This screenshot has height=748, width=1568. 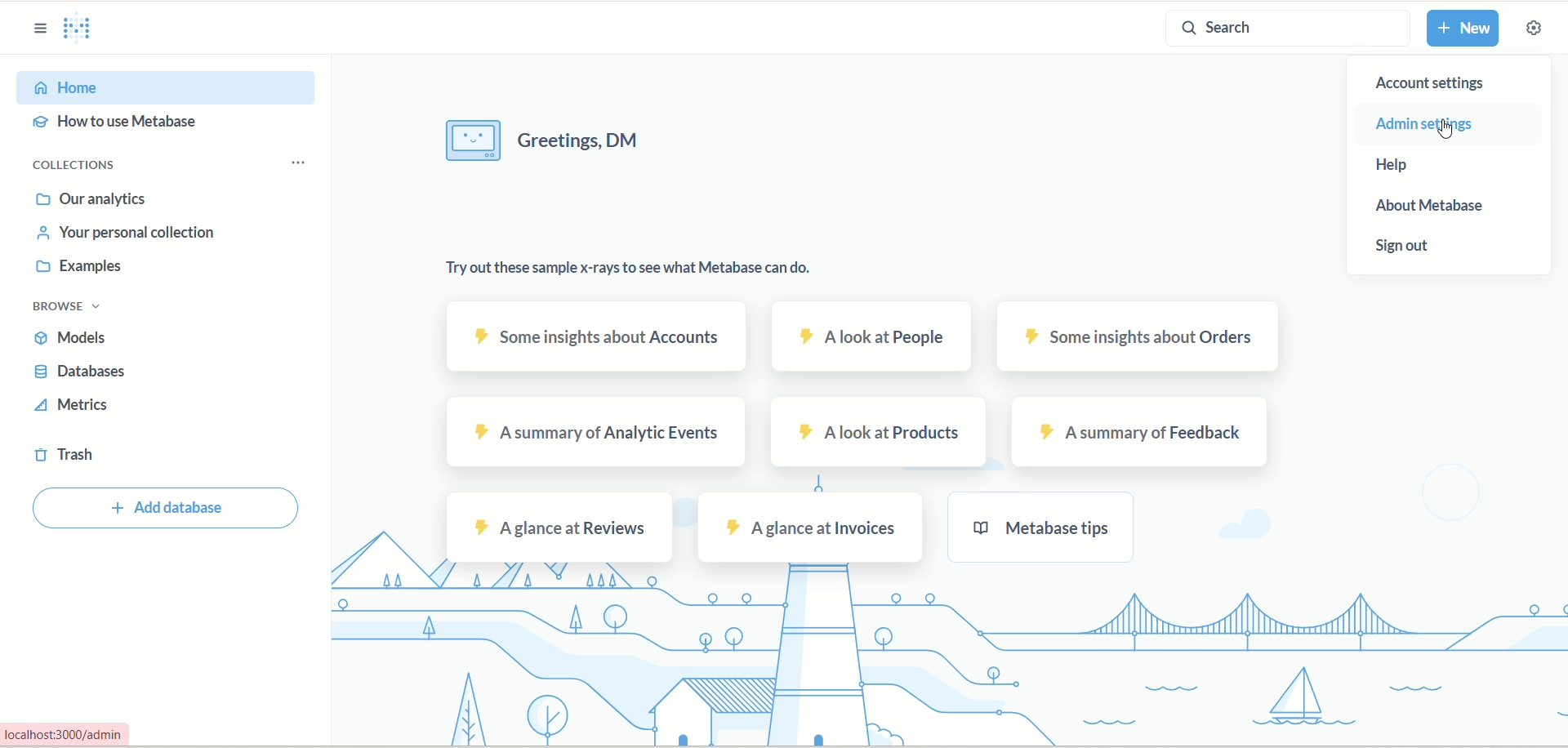 I want to click on collections, so click(x=75, y=166).